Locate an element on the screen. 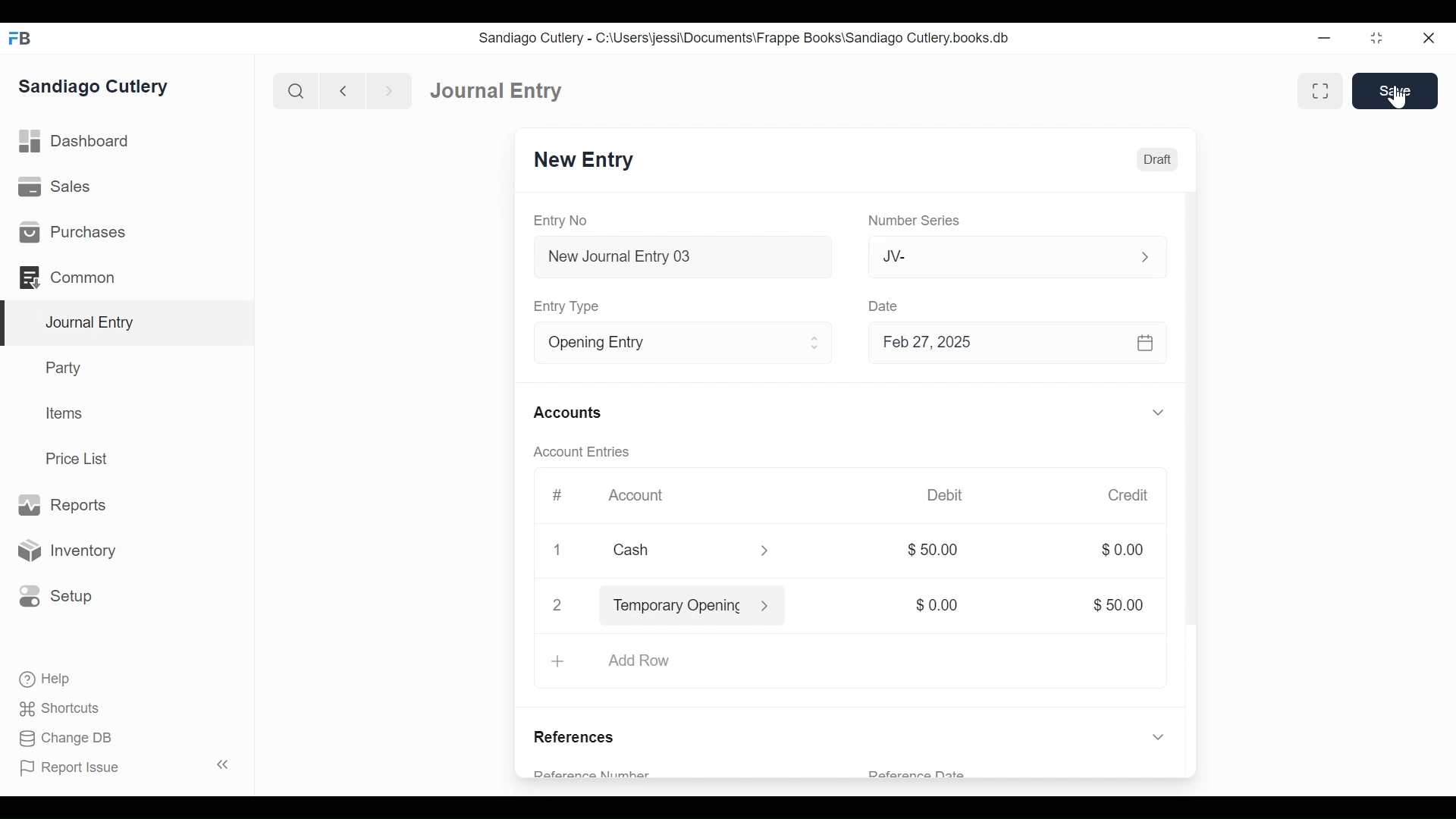 Image resolution: width=1456 pixels, height=819 pixels. Price List is located at coordinates (80, 458).